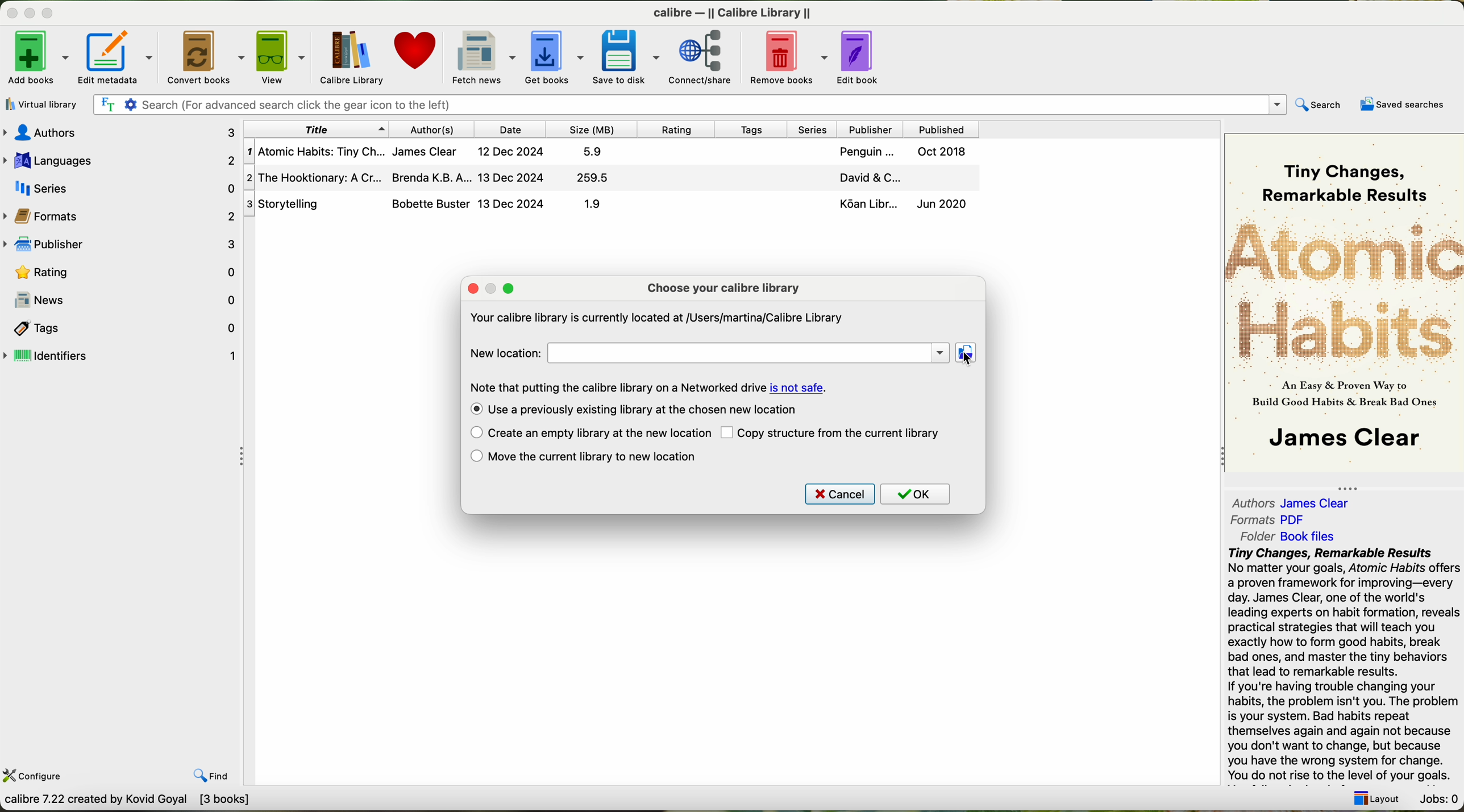 This screenshot has width=1464, height=812. What do you see at coordinates (840, 494) in the screenshot?
I see `cancel` at bounding box center [840, 494].